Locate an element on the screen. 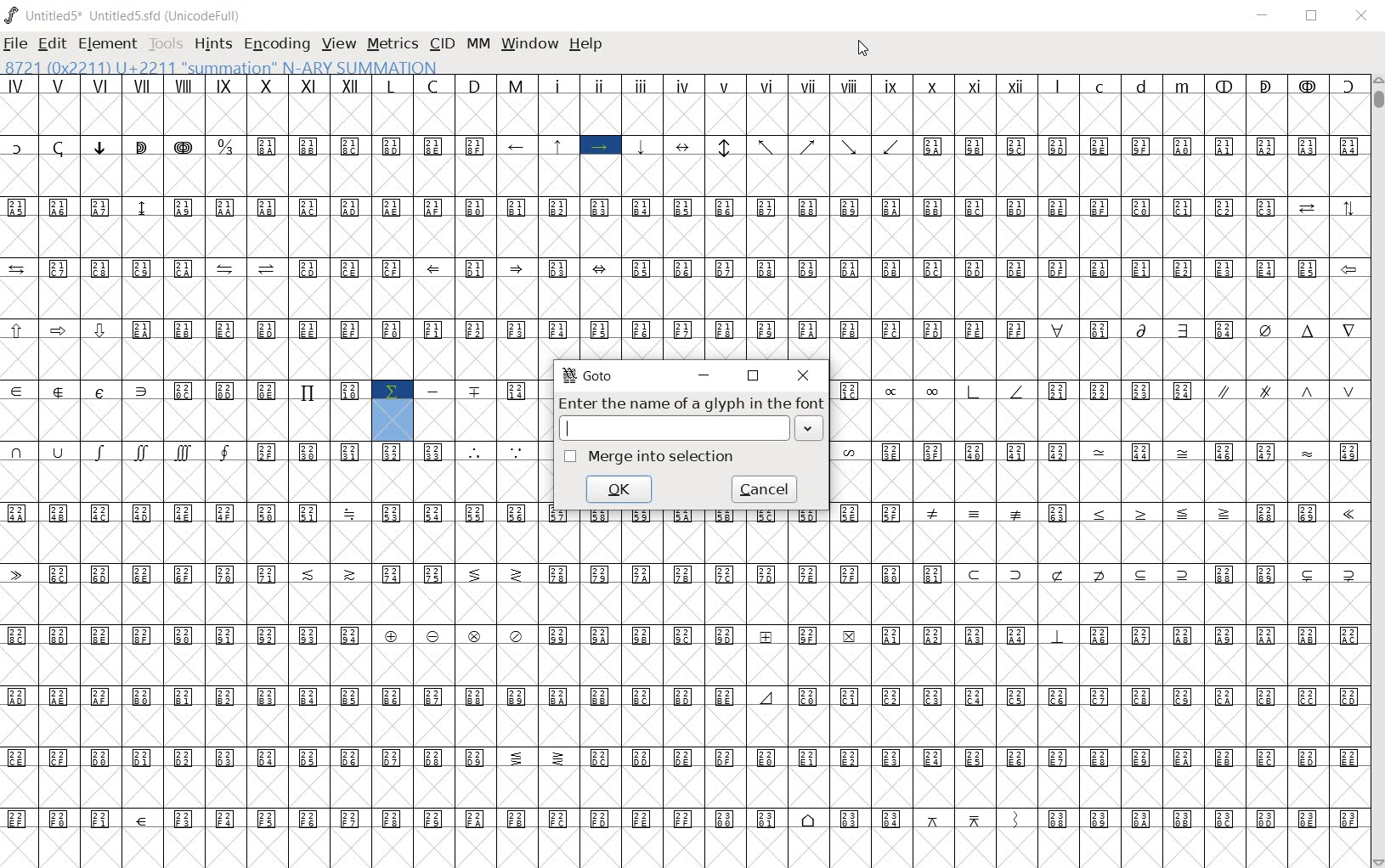  special symbols is located at coordinates (687, 696).